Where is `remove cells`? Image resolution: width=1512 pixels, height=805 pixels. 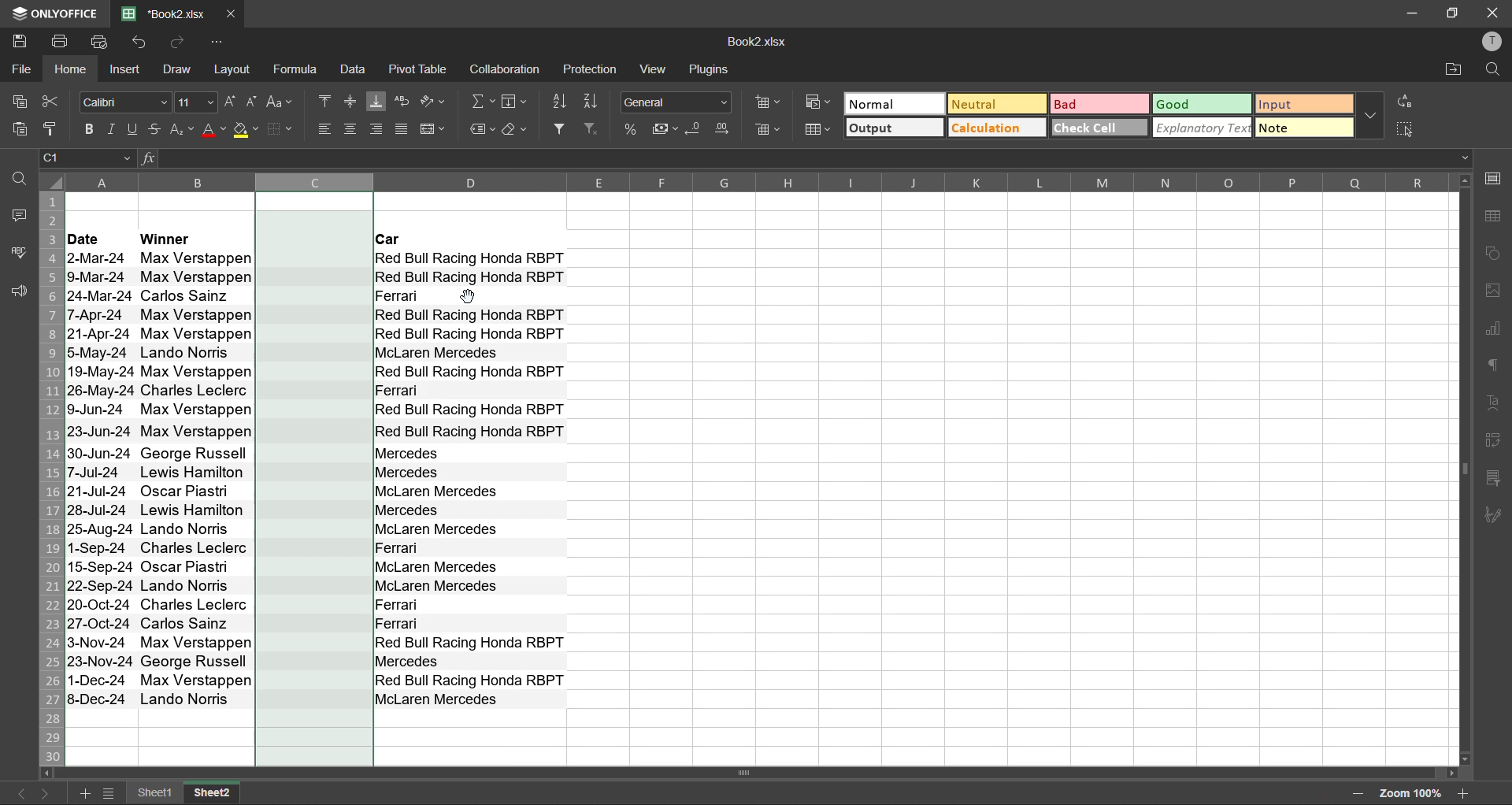
remove cells is located at coordinates (769, 129).